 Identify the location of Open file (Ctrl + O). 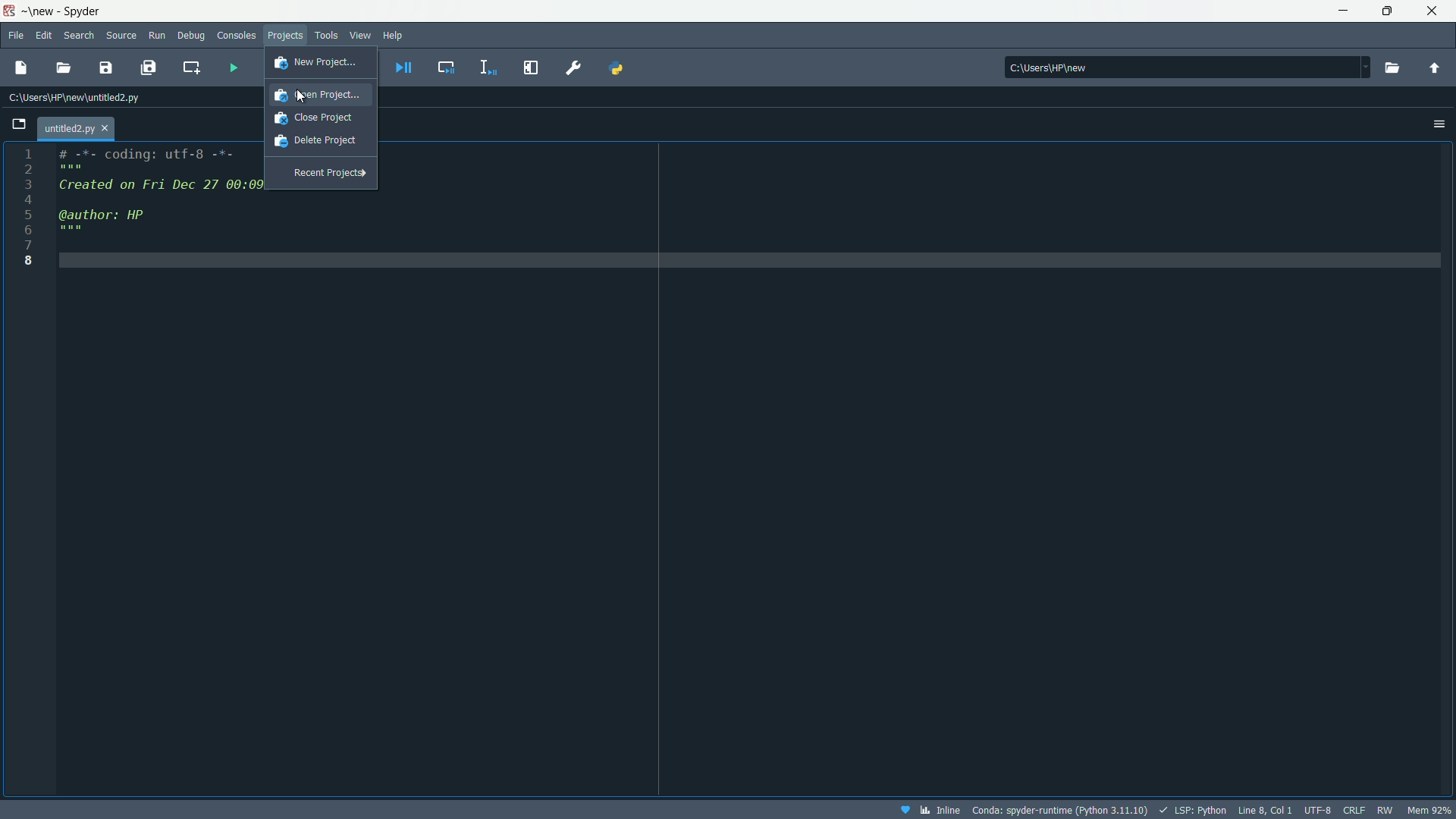
(65, 67).